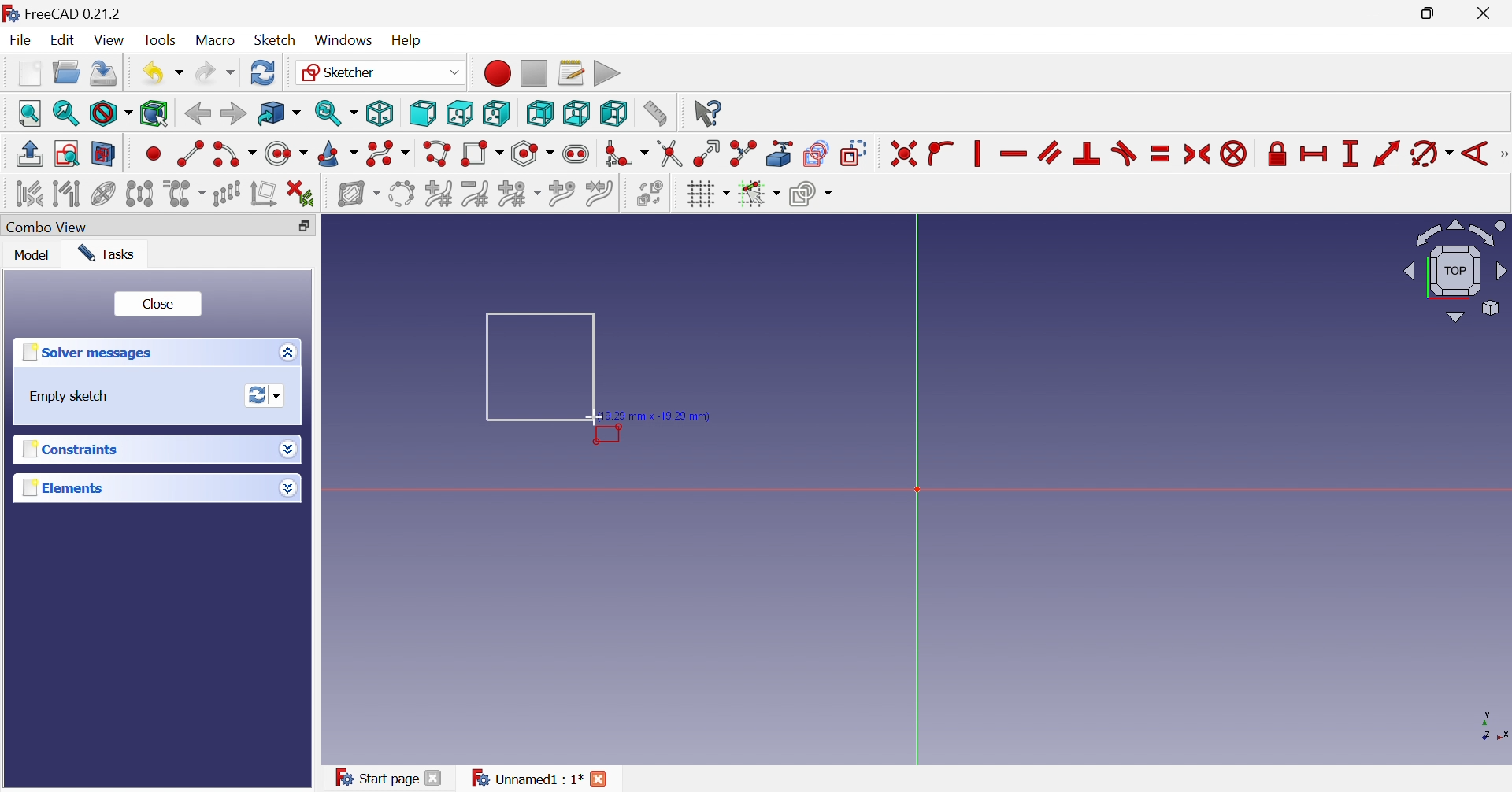 The width and height of the screenshot is (1512, 792). I want to click on Select associated geometry, so click(69, 196).